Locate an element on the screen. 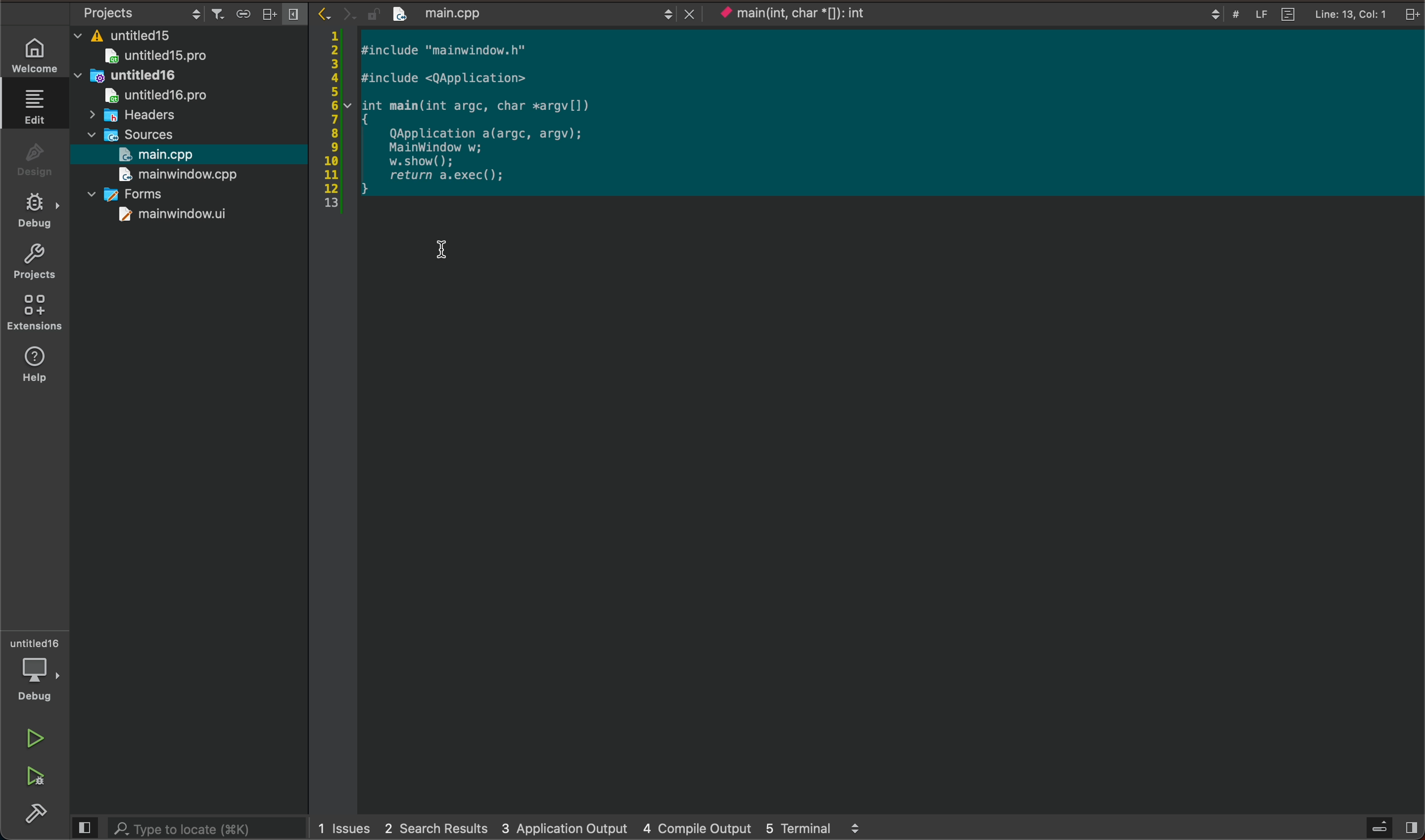 This screenshot has height=840, width=1425. untitled16 is located at coordinates (127, 77).